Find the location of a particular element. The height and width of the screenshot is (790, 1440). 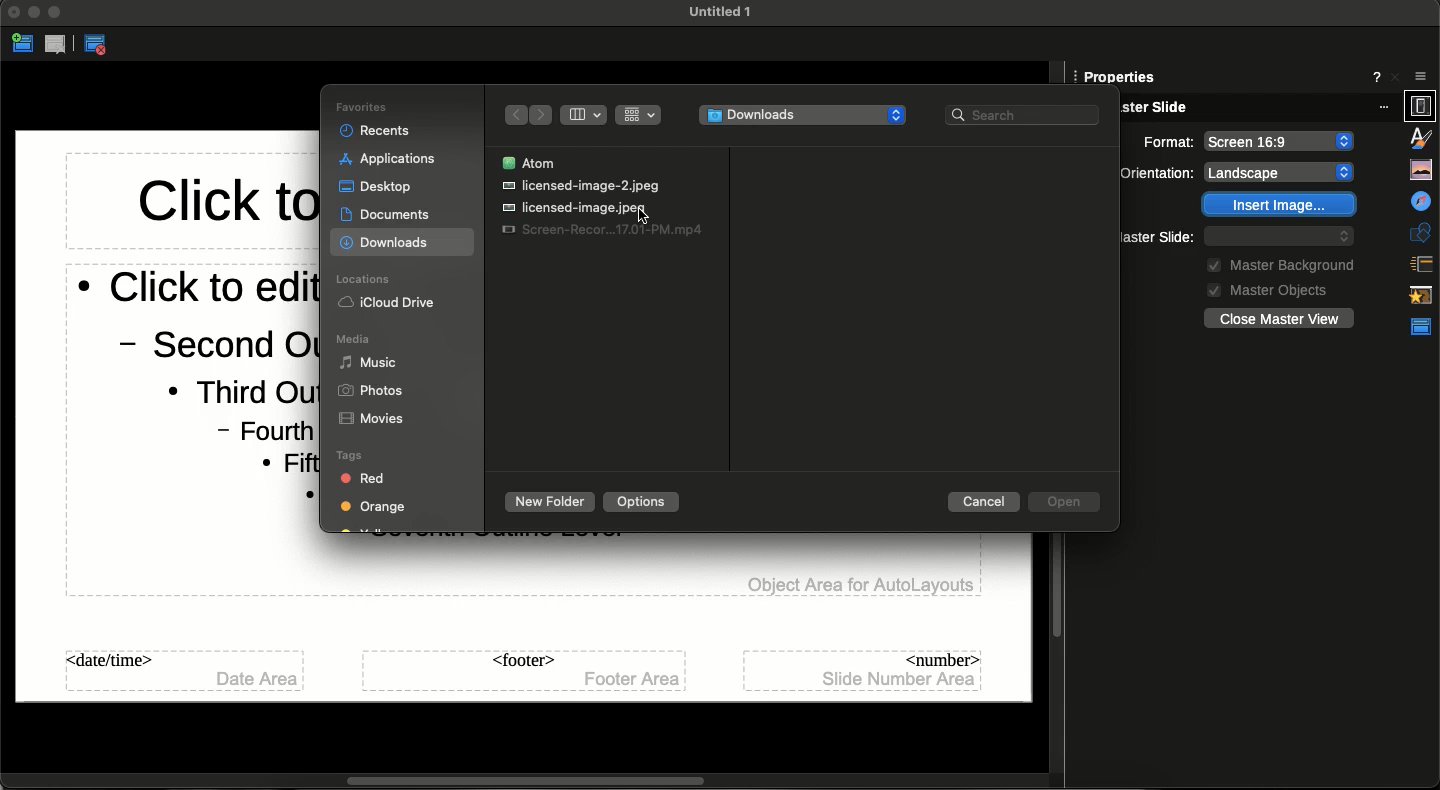

Media is located at coordinates (353, 339).